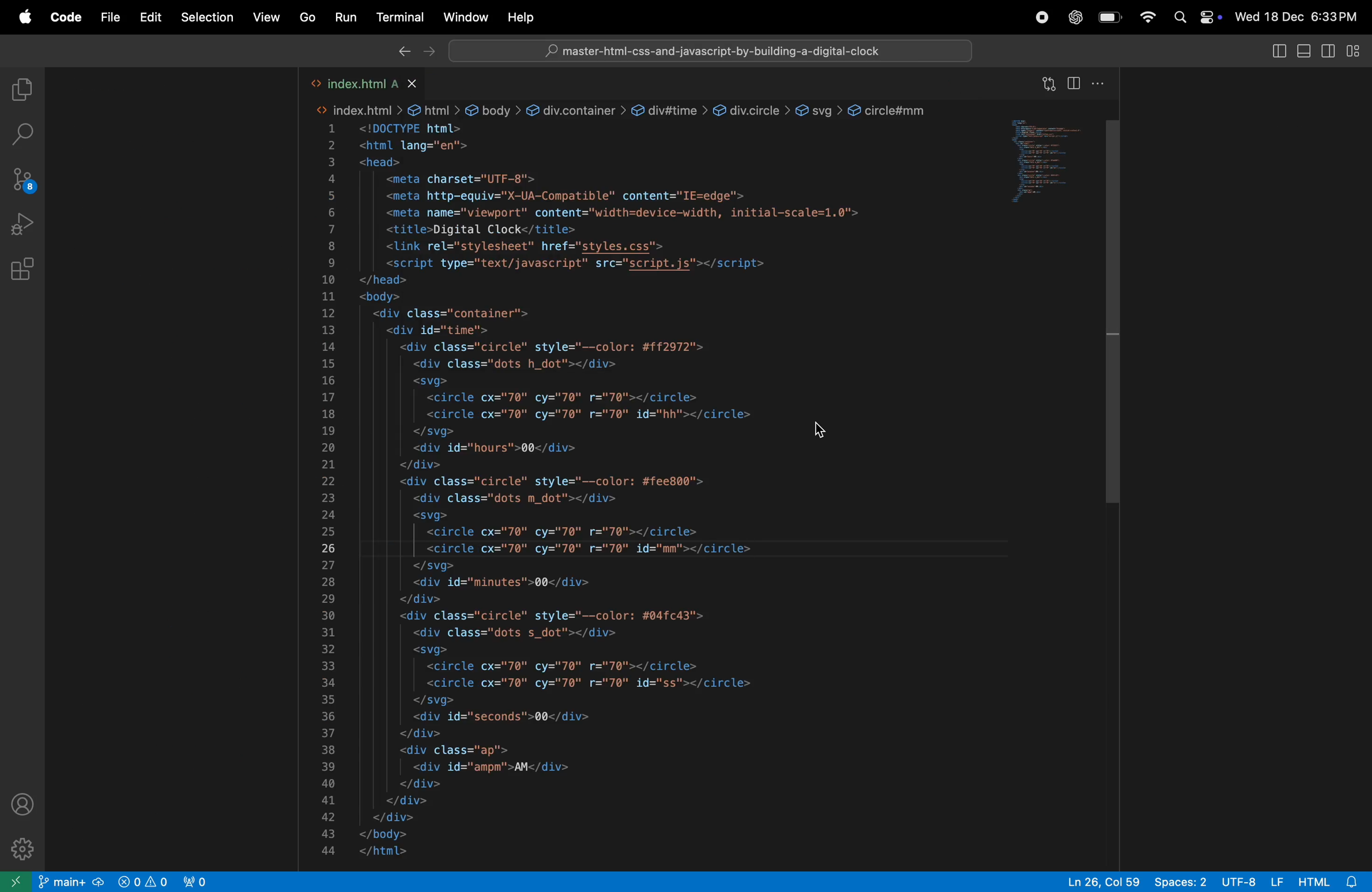  I want to click on view port 2, so click(199, 882).